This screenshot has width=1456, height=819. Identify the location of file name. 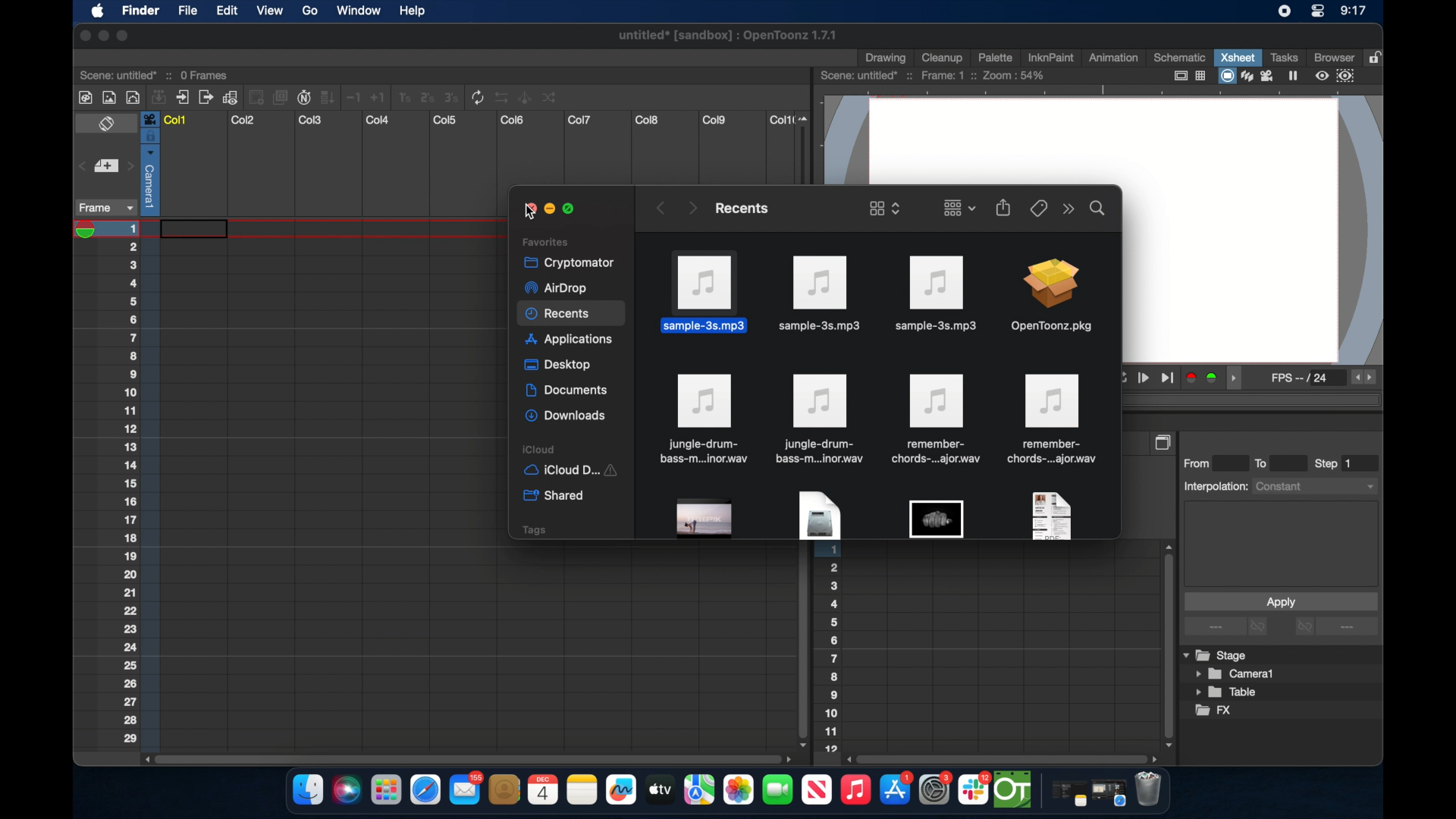
(729, 38).